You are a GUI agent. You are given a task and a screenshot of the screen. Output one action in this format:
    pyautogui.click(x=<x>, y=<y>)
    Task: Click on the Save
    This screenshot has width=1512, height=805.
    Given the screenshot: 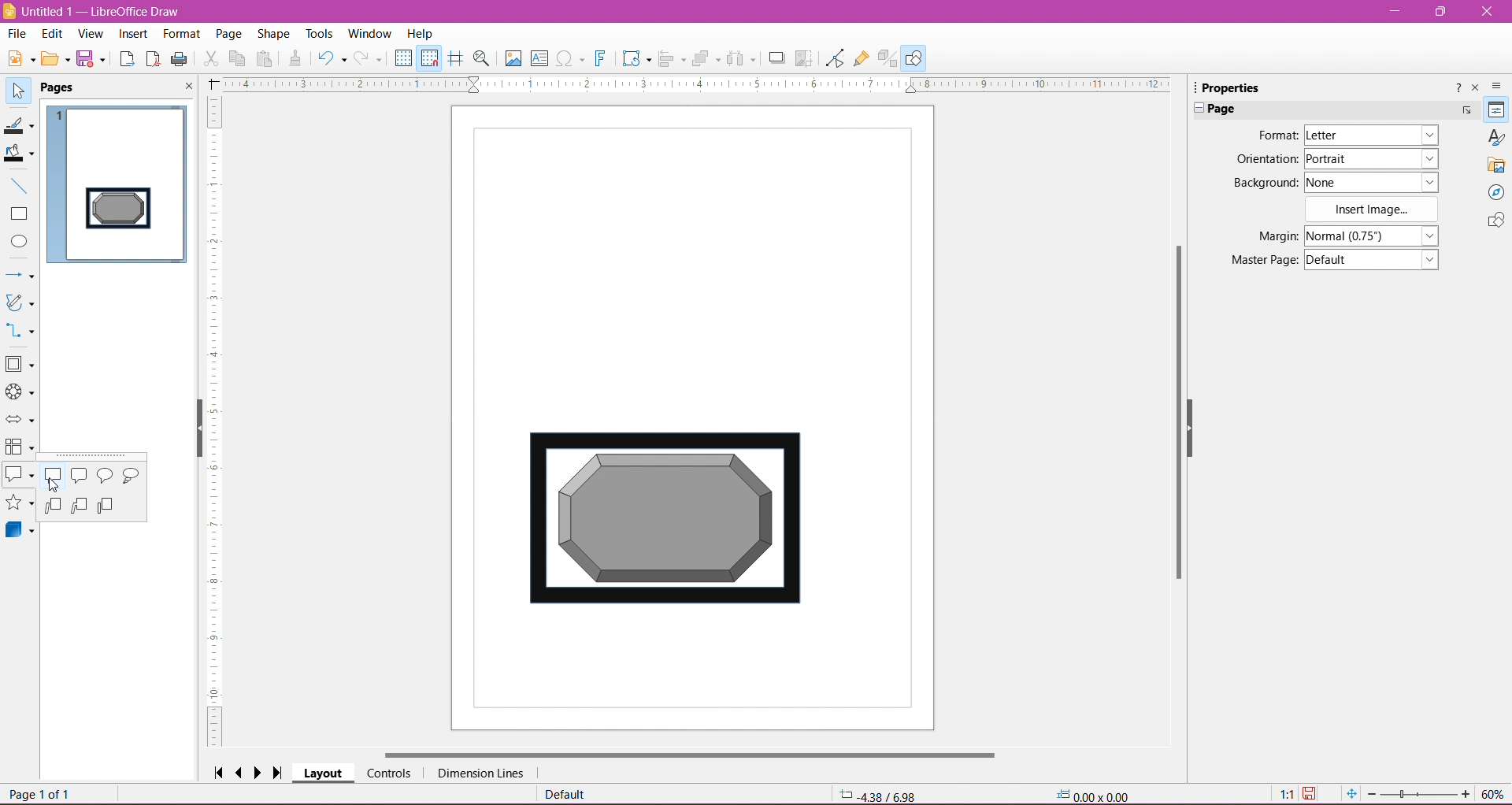 What is the action you would take?
    pyautogui.click(x=94, y=61)
    